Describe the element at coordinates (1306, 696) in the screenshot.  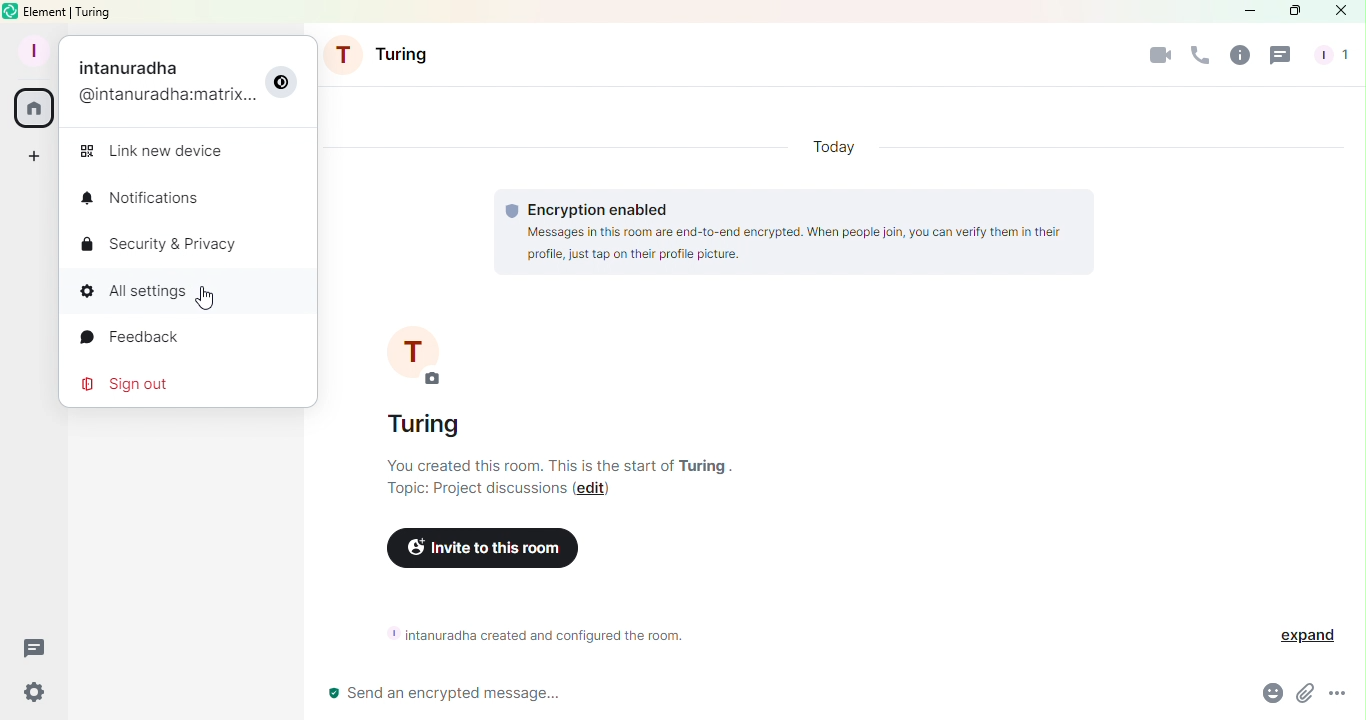
I see `Attachment` at that location.